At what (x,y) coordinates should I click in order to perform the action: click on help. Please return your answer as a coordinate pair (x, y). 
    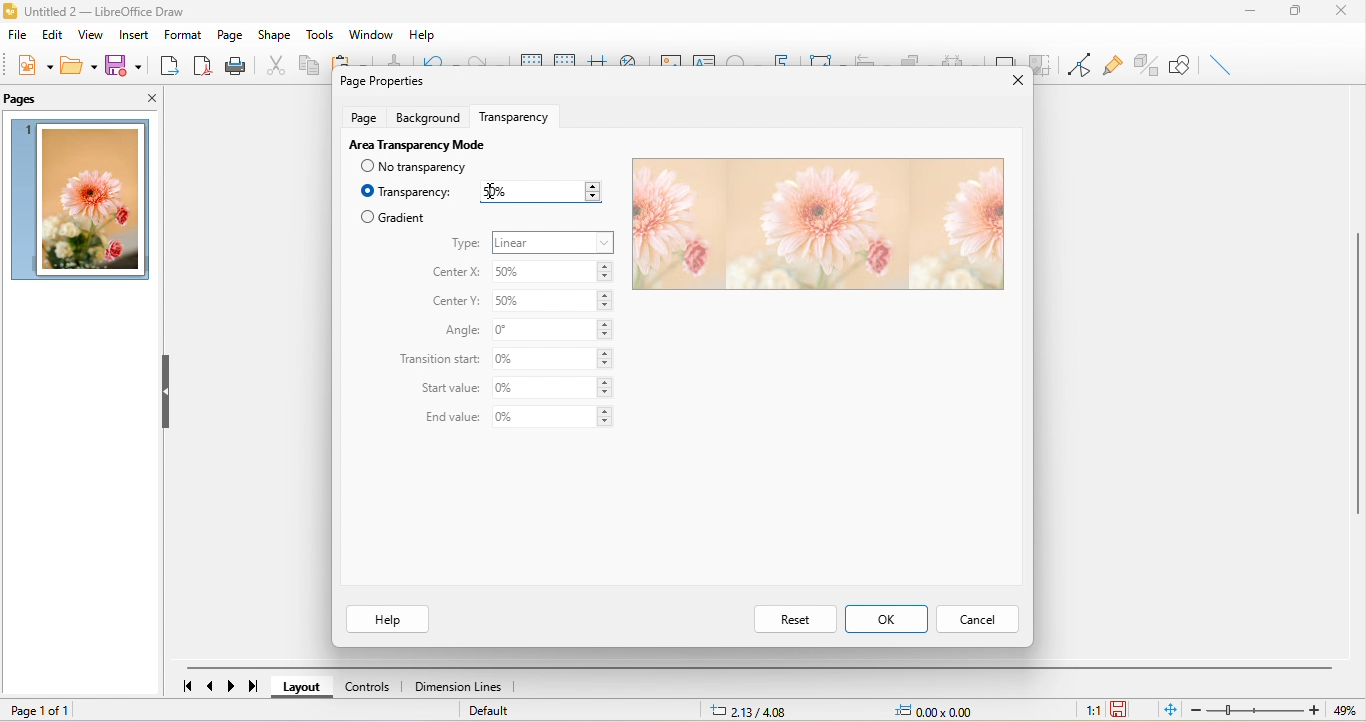
    Looking at the image, I should click on (386, 619).